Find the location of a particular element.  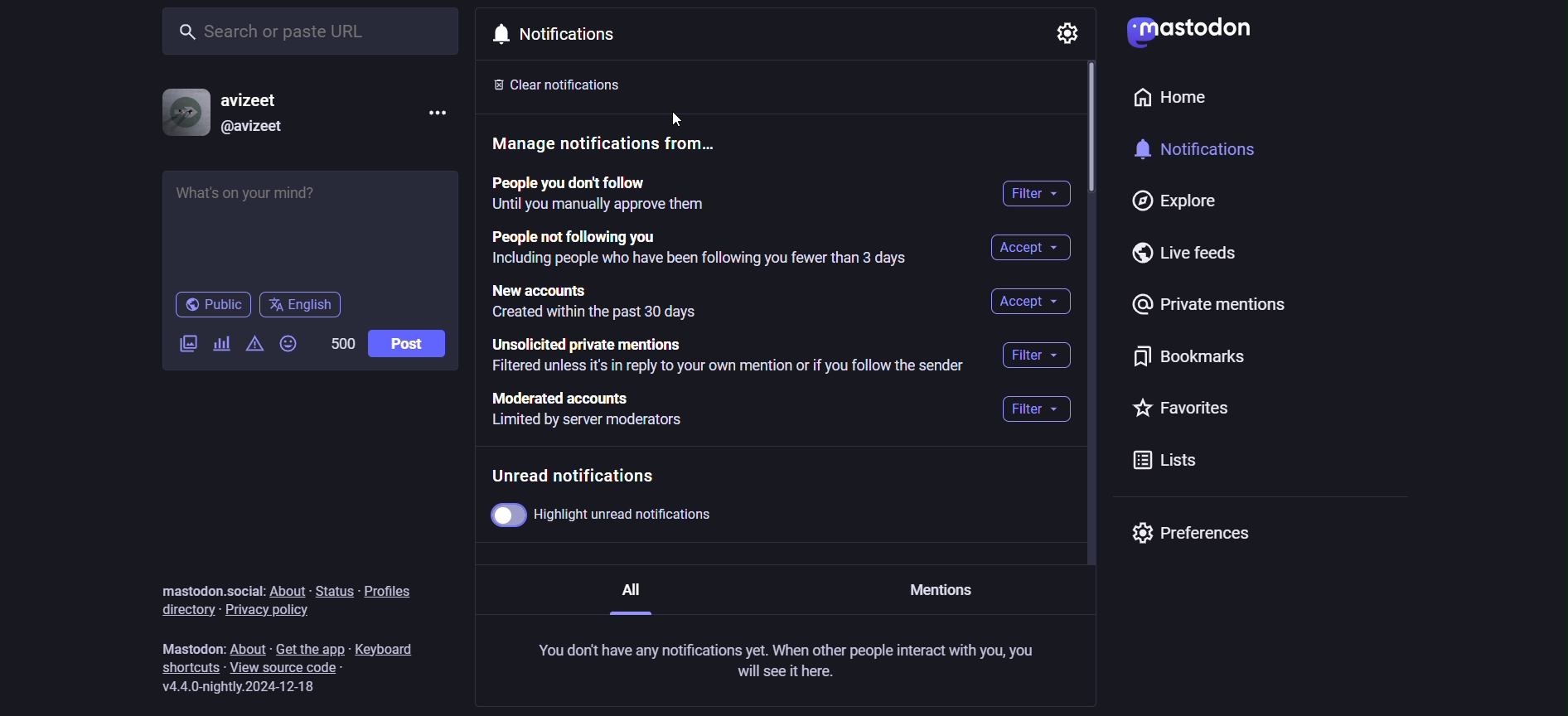

private mentions is located at coordinates (1213, 308).